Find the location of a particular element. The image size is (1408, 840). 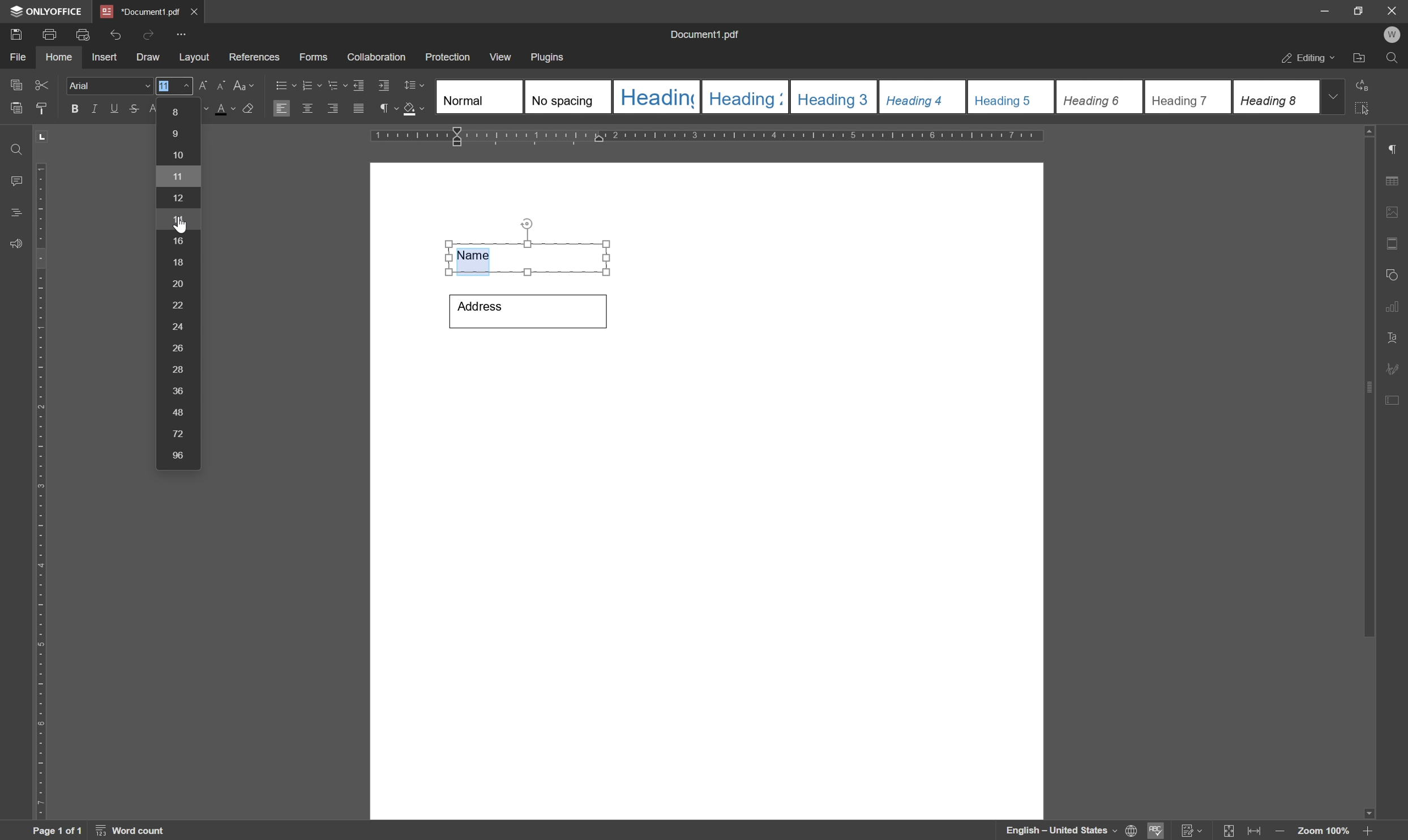

word count is located at coordinates (134, 831).